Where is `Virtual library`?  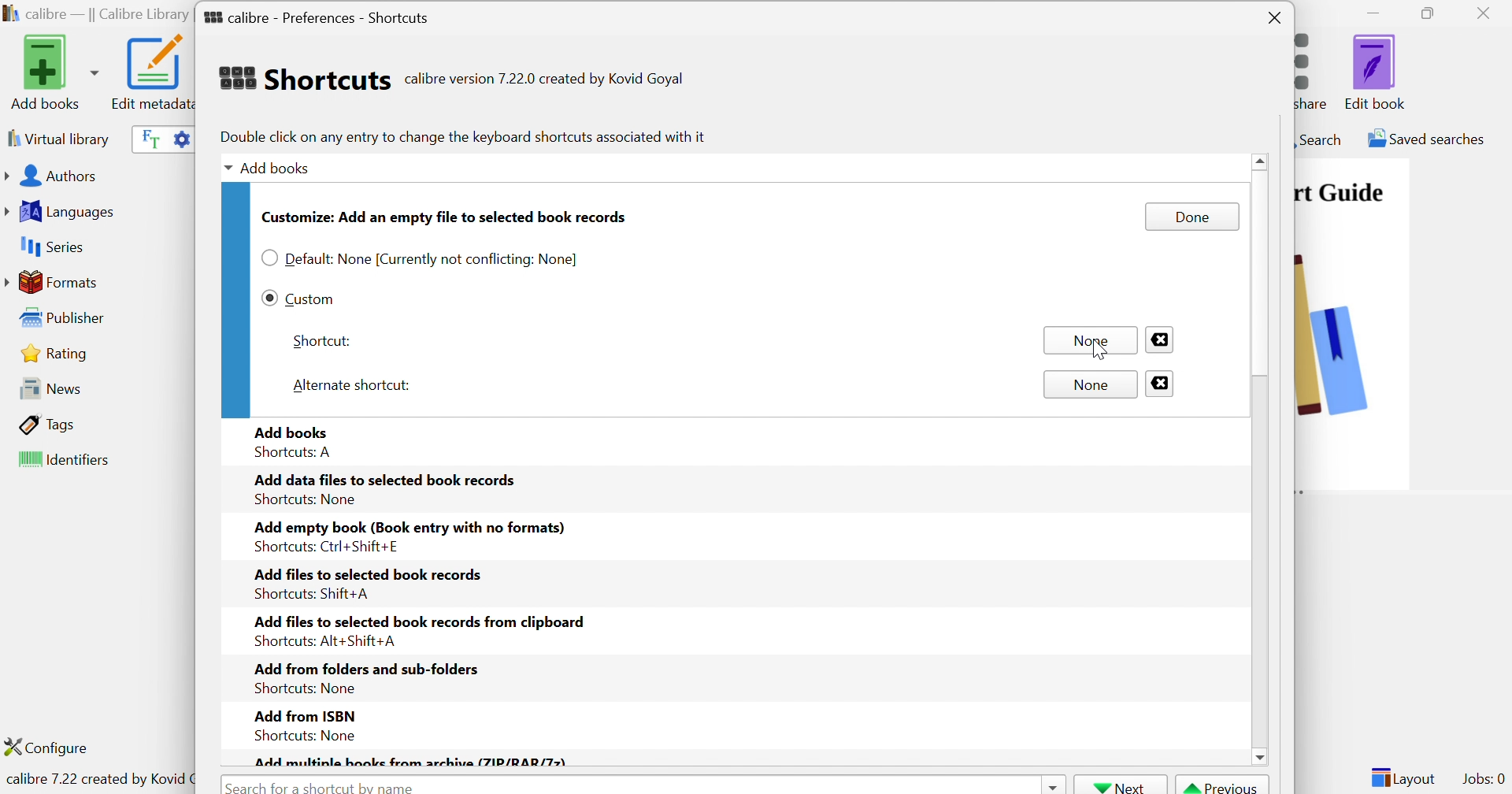 Virtual library is located at coordinates (57, 138).